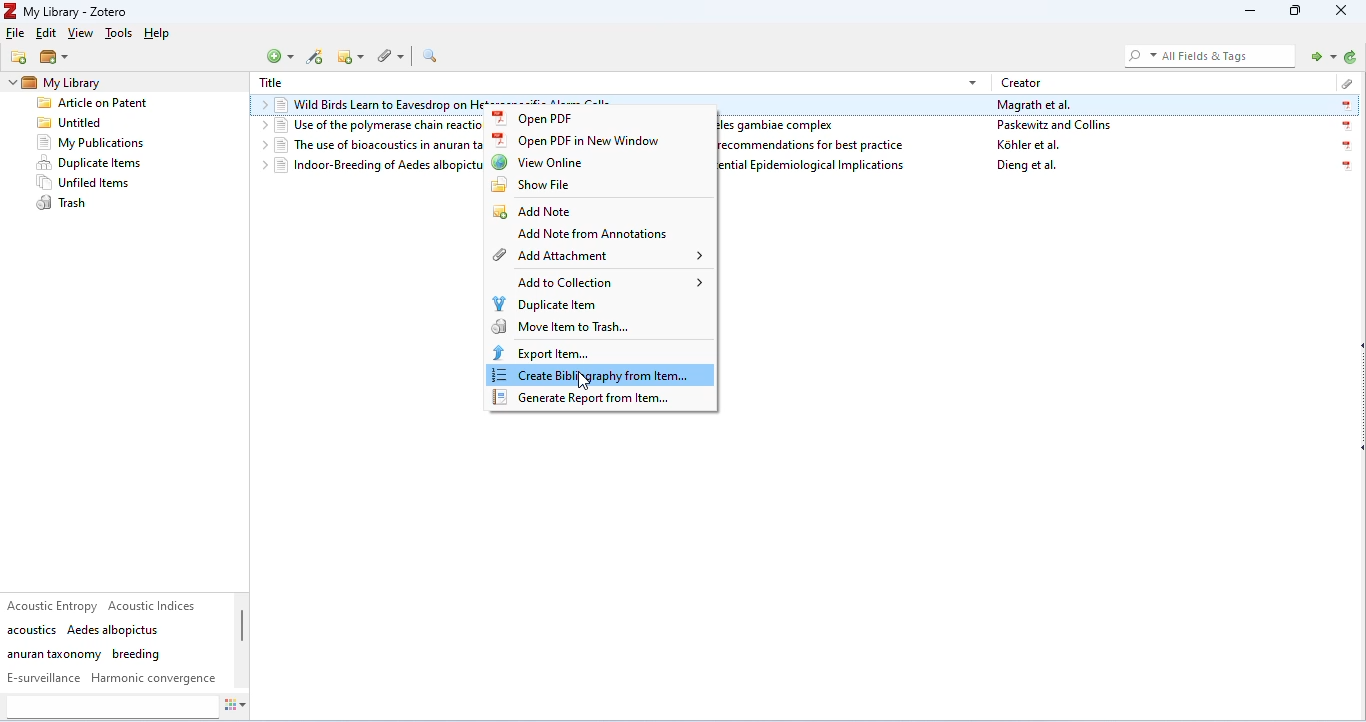  What do you see at coordinates (11, 85) in the screenshot?
I see `drop down` at bounding box center [11, 85].